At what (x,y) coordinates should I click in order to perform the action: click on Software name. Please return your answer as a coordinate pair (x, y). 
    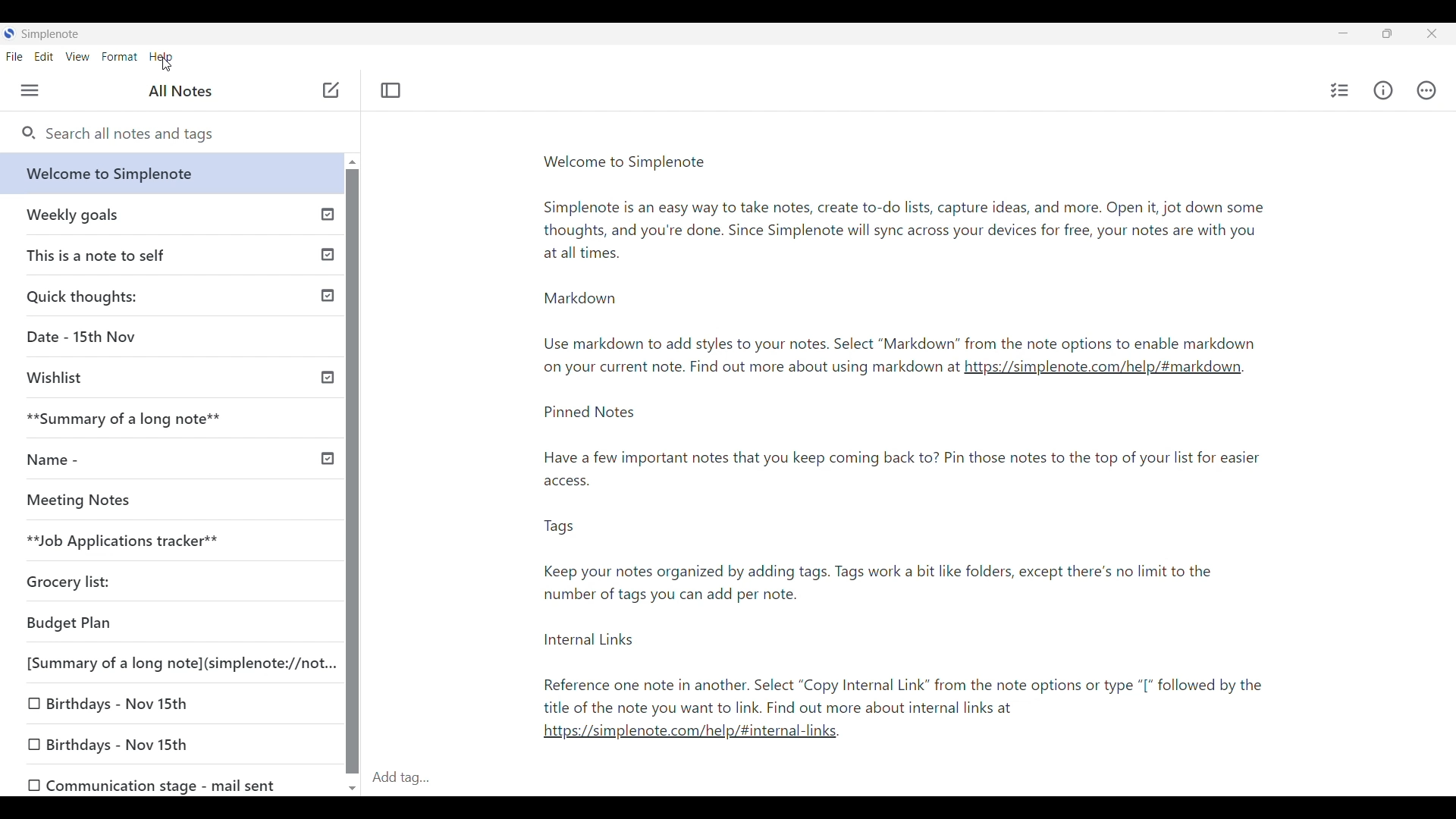
    Looking at the image, I should click on (51, 35).